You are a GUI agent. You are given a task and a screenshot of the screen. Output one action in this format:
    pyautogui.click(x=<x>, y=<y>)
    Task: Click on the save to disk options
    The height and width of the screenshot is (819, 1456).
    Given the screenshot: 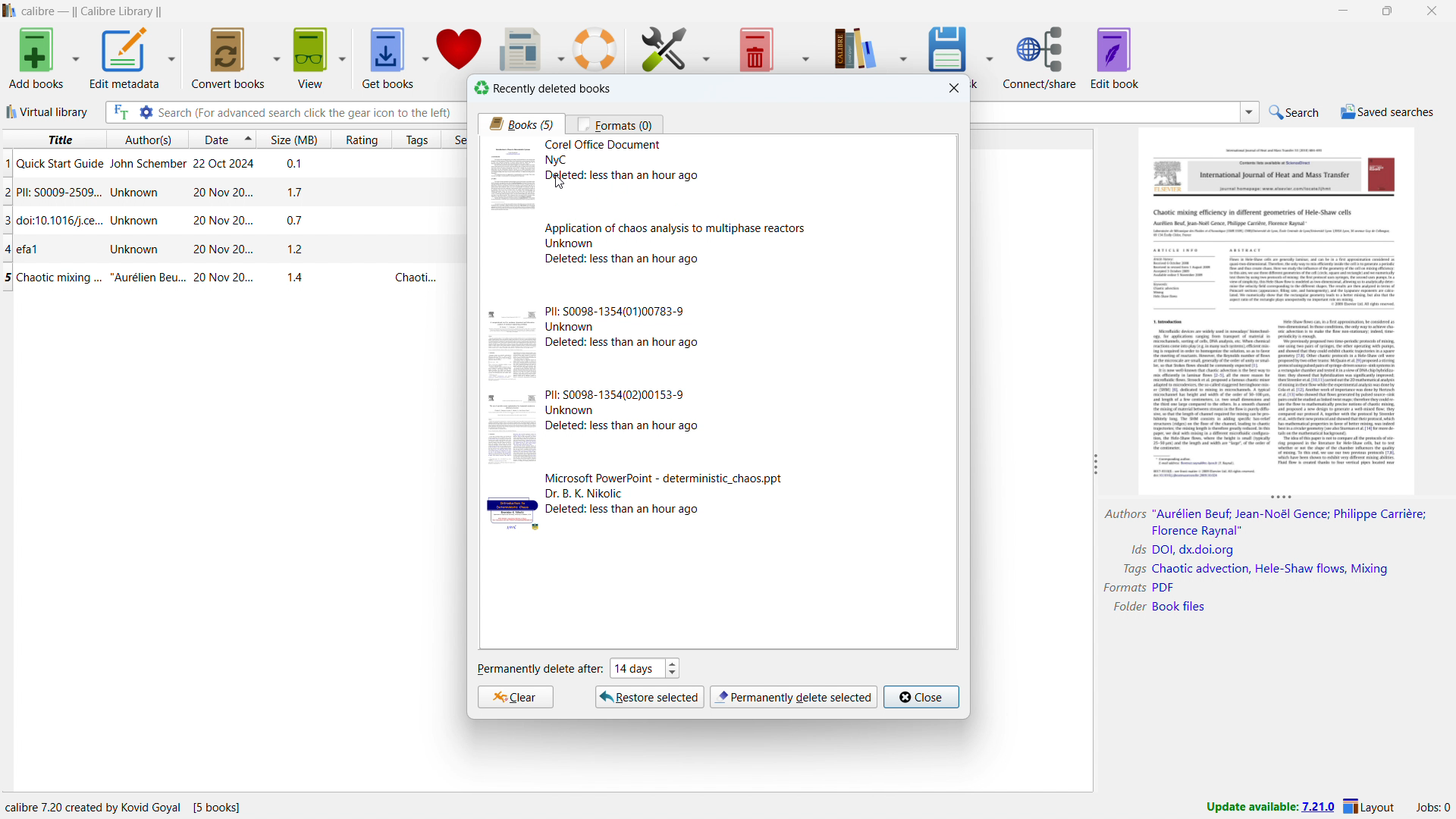 What is the action you would take?
    pyautogui.click(x=990, y=55)
    